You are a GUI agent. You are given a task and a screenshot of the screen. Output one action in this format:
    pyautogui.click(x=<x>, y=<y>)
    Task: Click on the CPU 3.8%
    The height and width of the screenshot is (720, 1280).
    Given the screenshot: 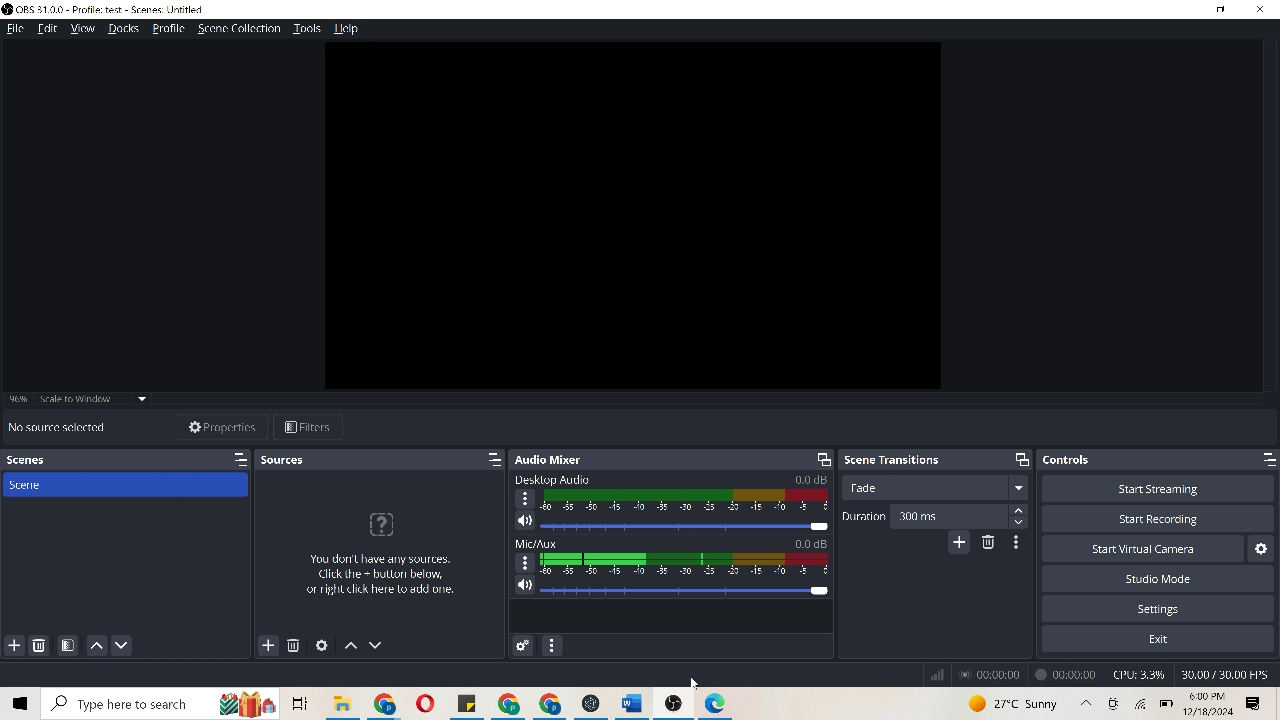 What is the action you would take?
    pyautogui.click(x=1142, y=675)
    